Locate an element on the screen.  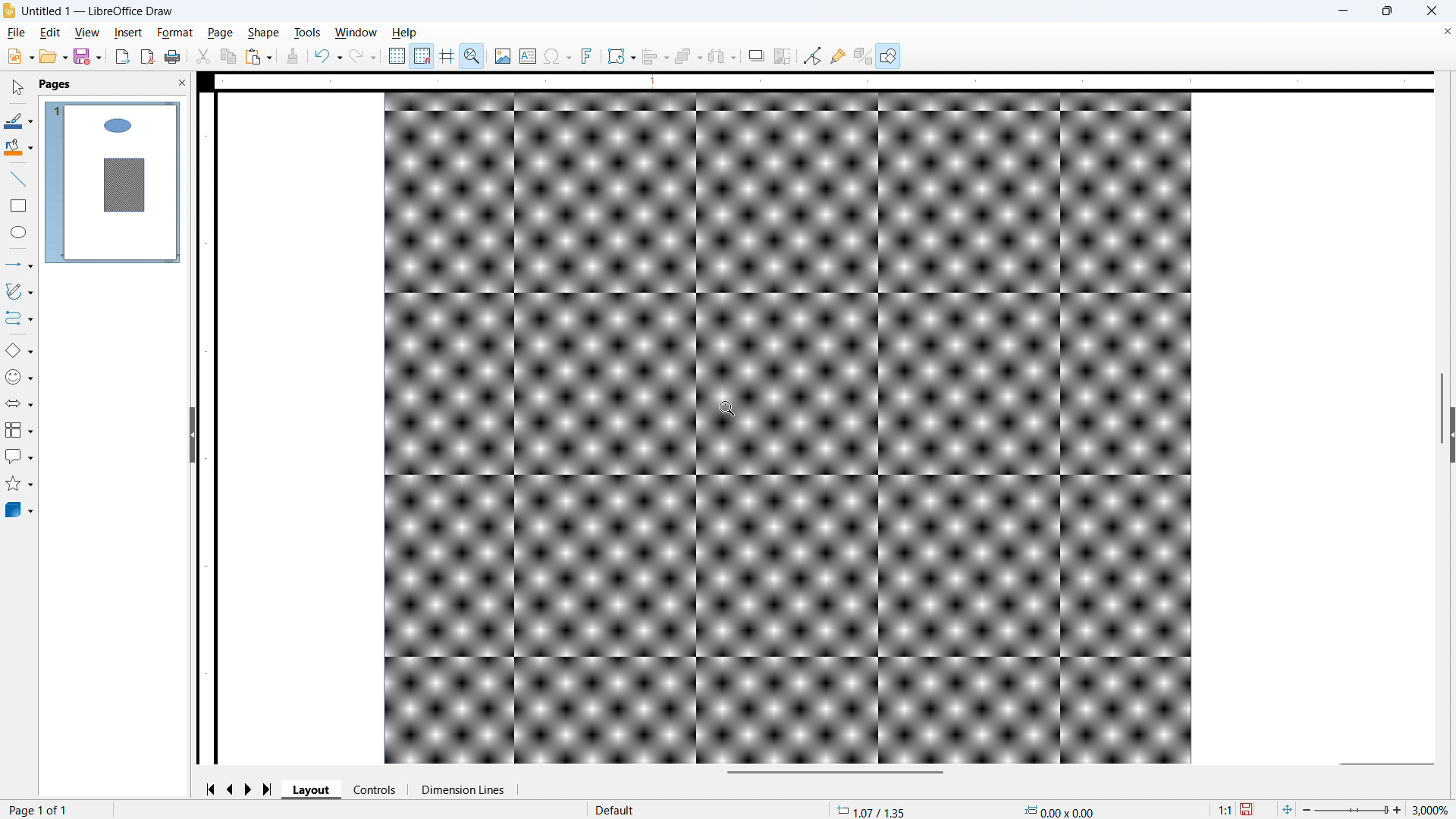
Fit to page  is located at coordinates (1288, 809).